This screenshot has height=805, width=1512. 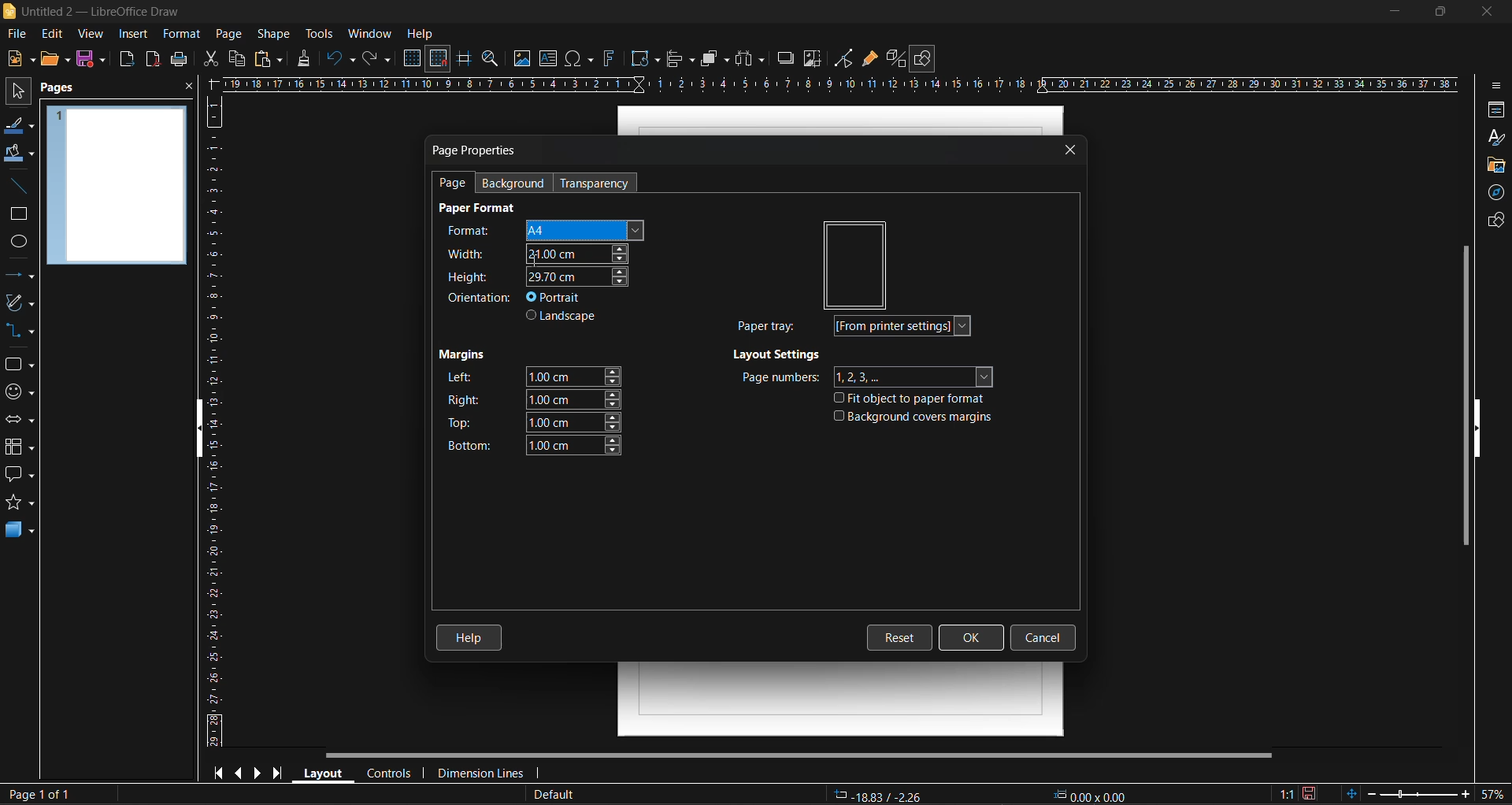 I want to click on new, so click(x=17, y=61).